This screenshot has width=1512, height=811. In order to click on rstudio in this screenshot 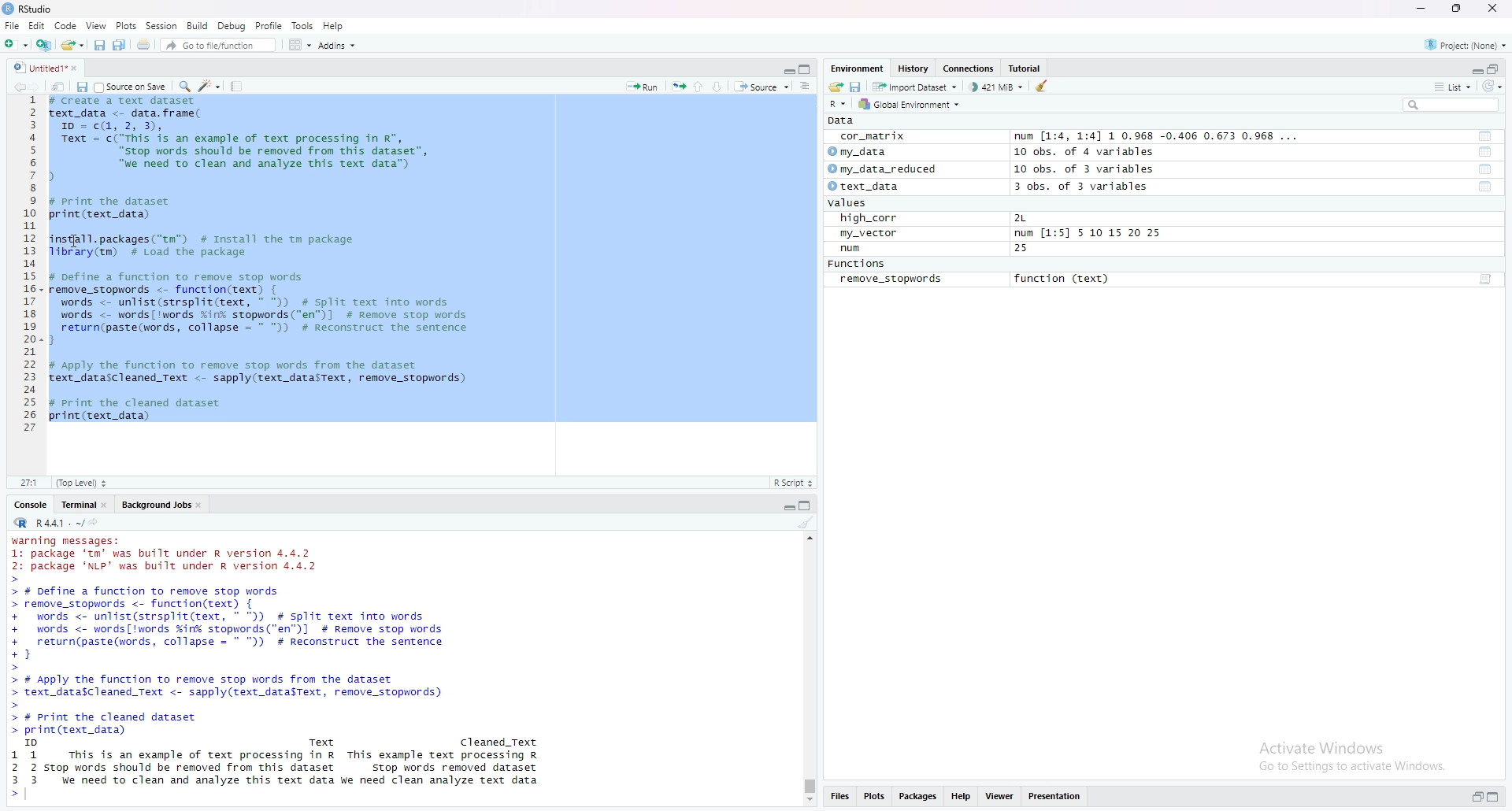, I will do `click(29, 10)`.